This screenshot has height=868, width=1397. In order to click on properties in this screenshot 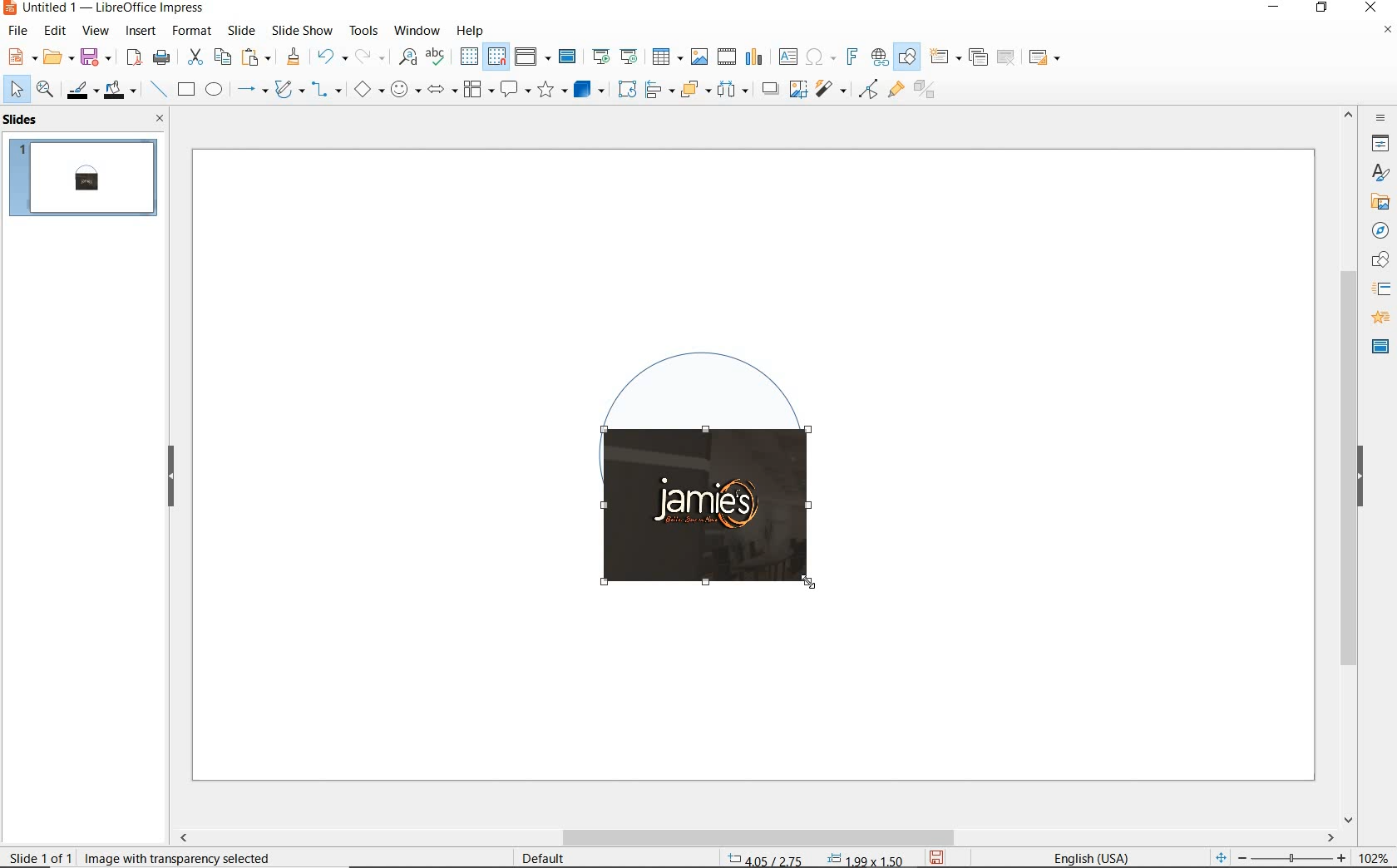, I will do `click(1379, 143)`.